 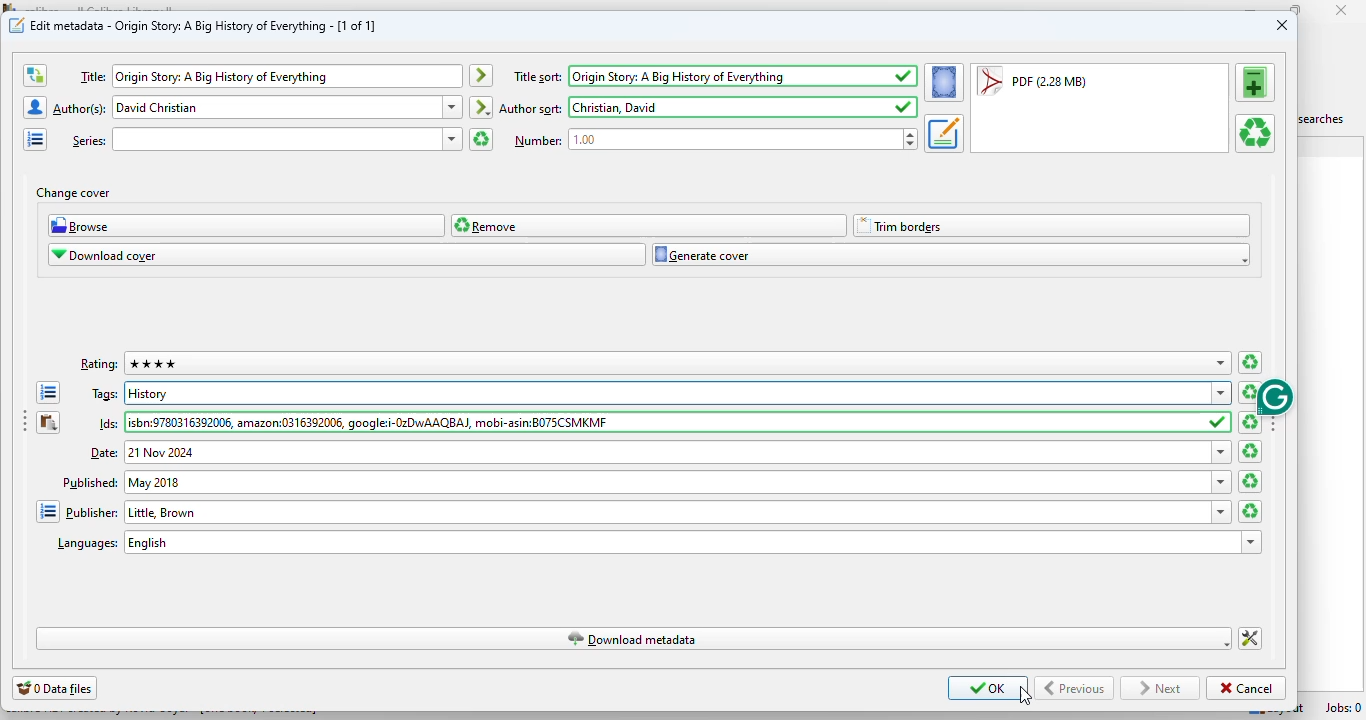 What do you see at coordinates (110, 424) in the screenshot?
I see `text` at bounding box center [110, 424].